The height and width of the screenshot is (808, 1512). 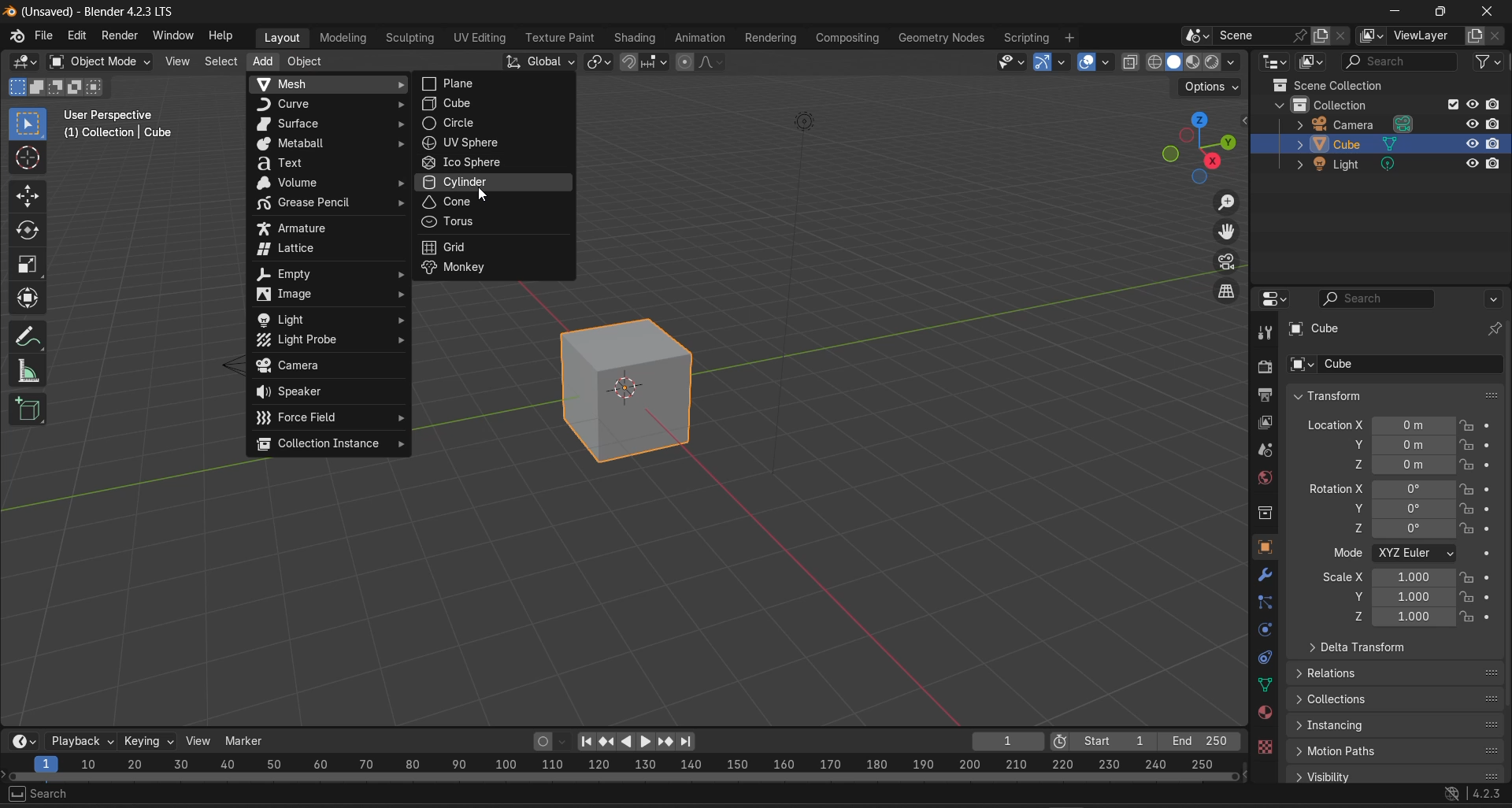 What do you see at coordinates (1262, 366) in the screenshot?
I see `render` at bounding box center [1262, 366].